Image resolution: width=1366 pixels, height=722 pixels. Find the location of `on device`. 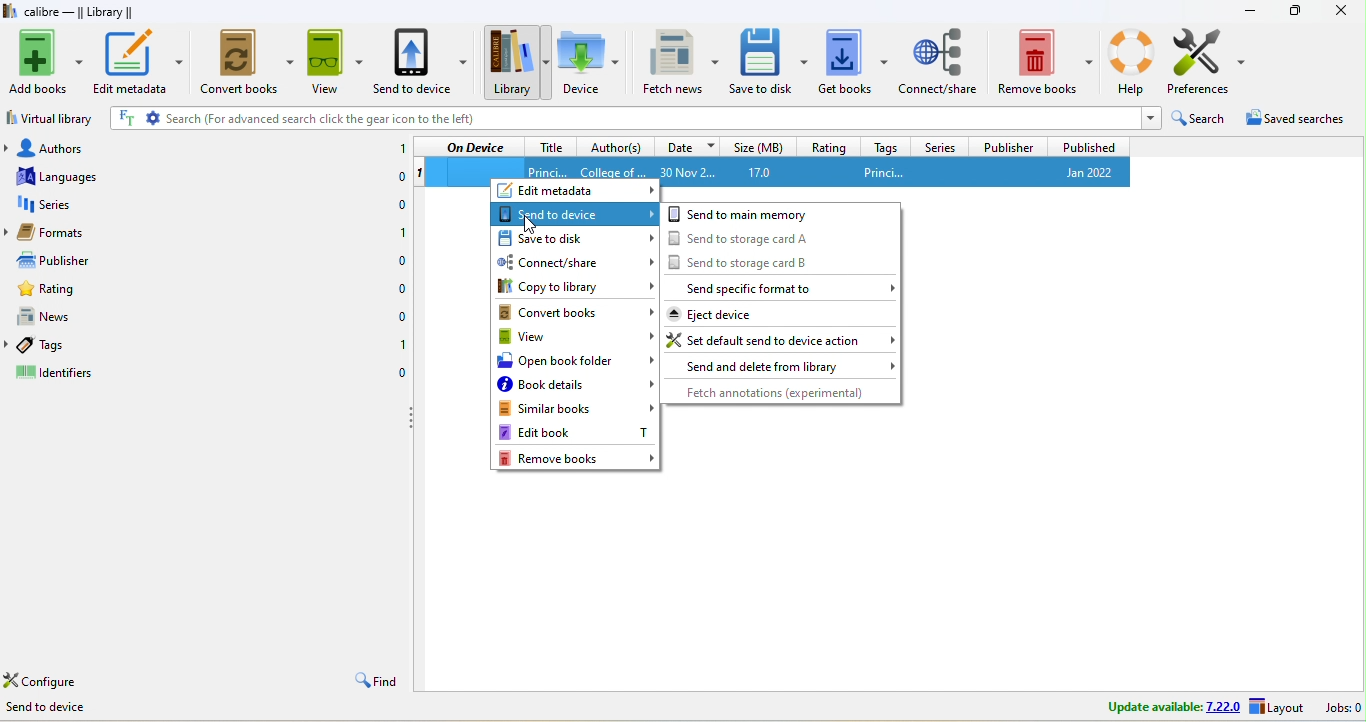

on device is located at coordinates (475, 147).